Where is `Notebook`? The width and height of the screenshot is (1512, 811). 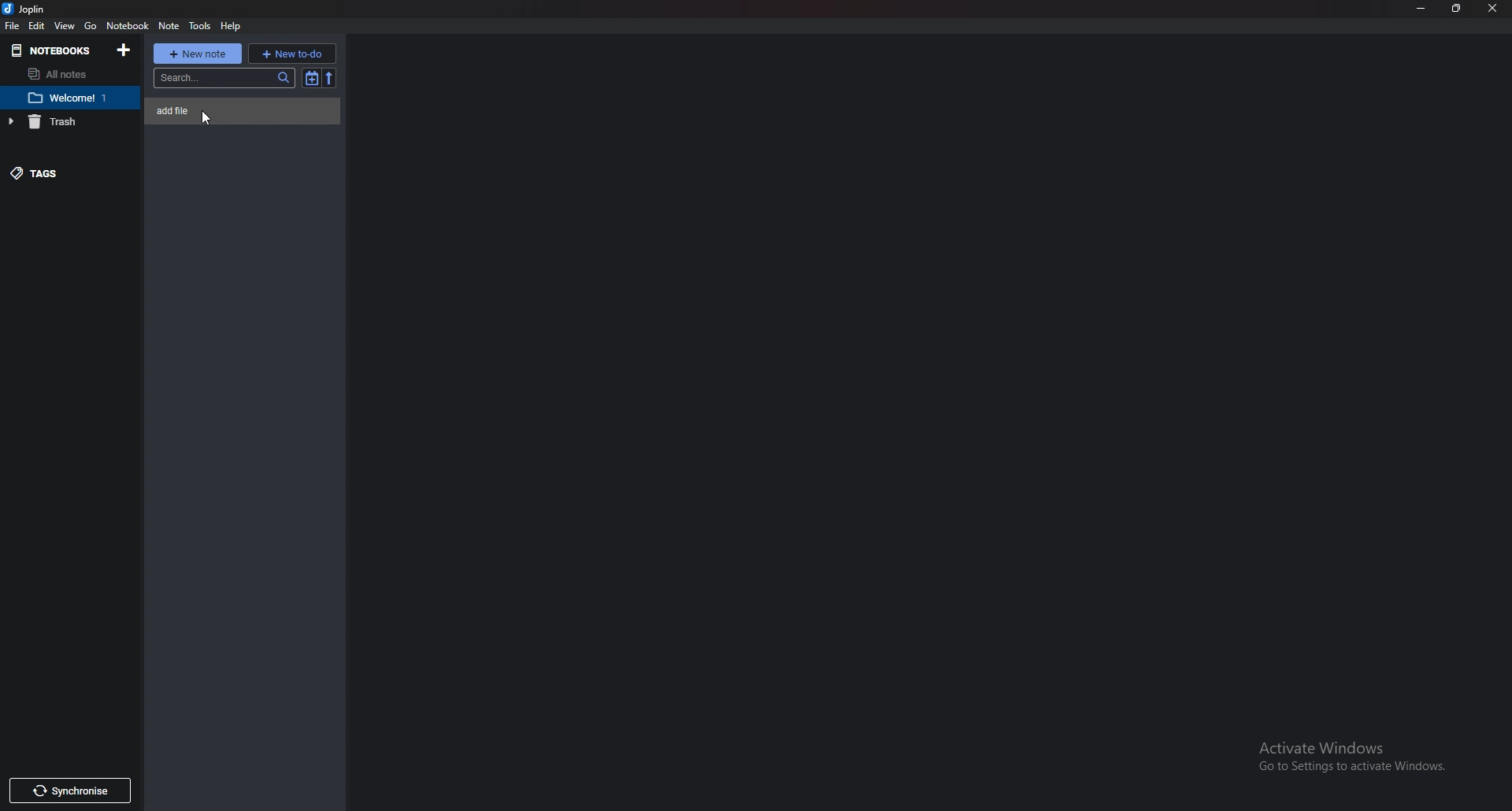 Notebook is located at coordinates (128, 25).